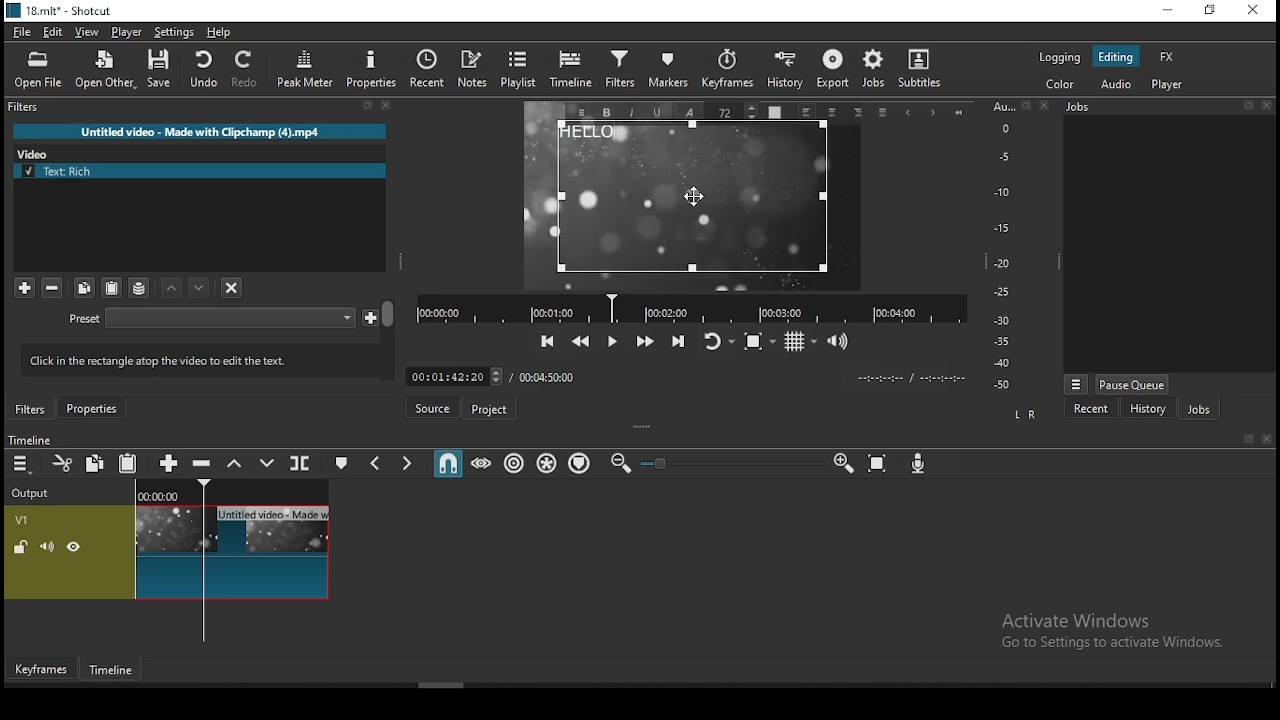 The height and width of the screenshot is (720, 1280). What do you see at coordinates (91, 408) in the screenshot?
I see `properties` at bounding box center [91, 408].